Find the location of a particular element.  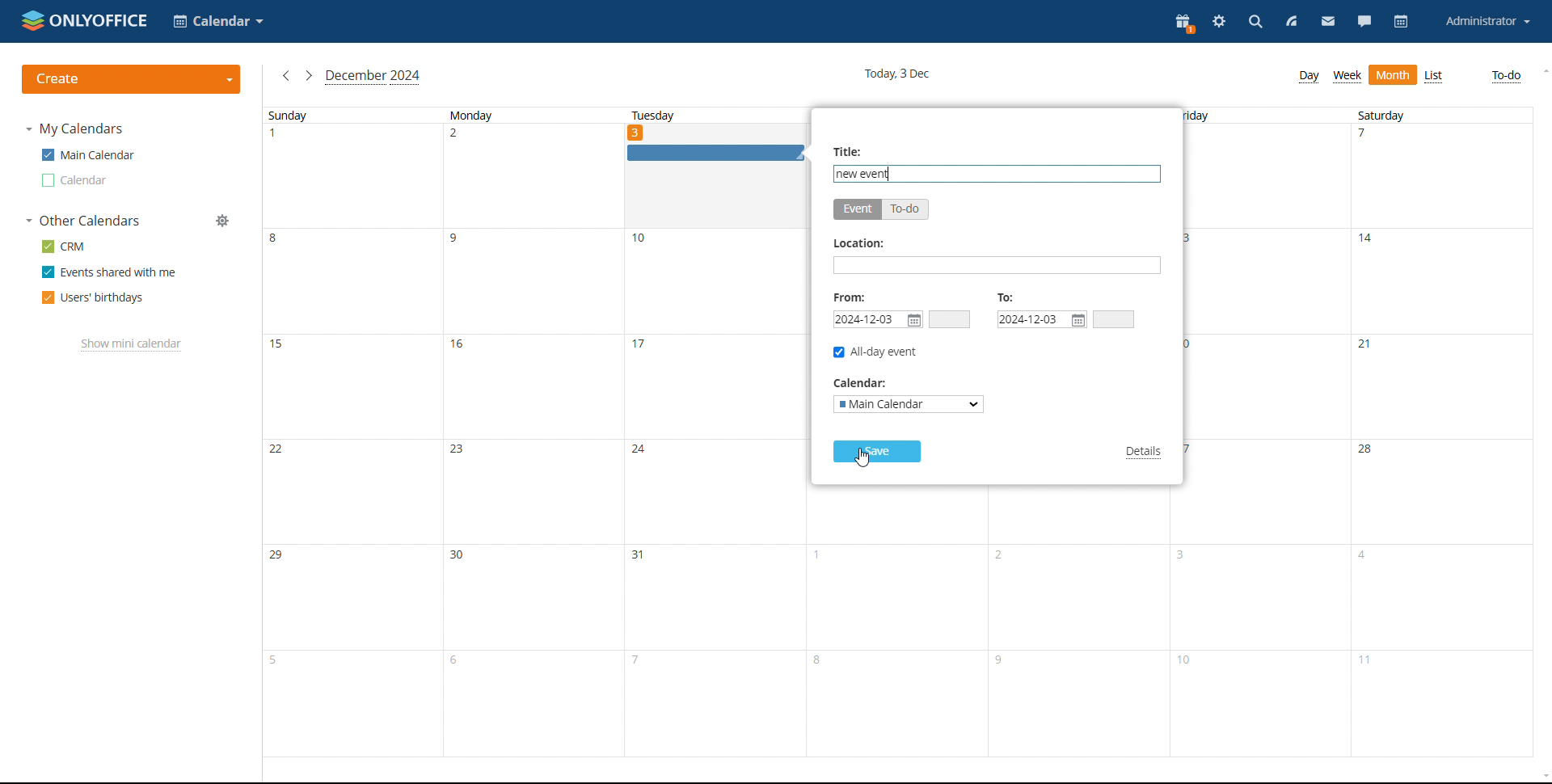

other calendars is located at coordinates (82, 220).